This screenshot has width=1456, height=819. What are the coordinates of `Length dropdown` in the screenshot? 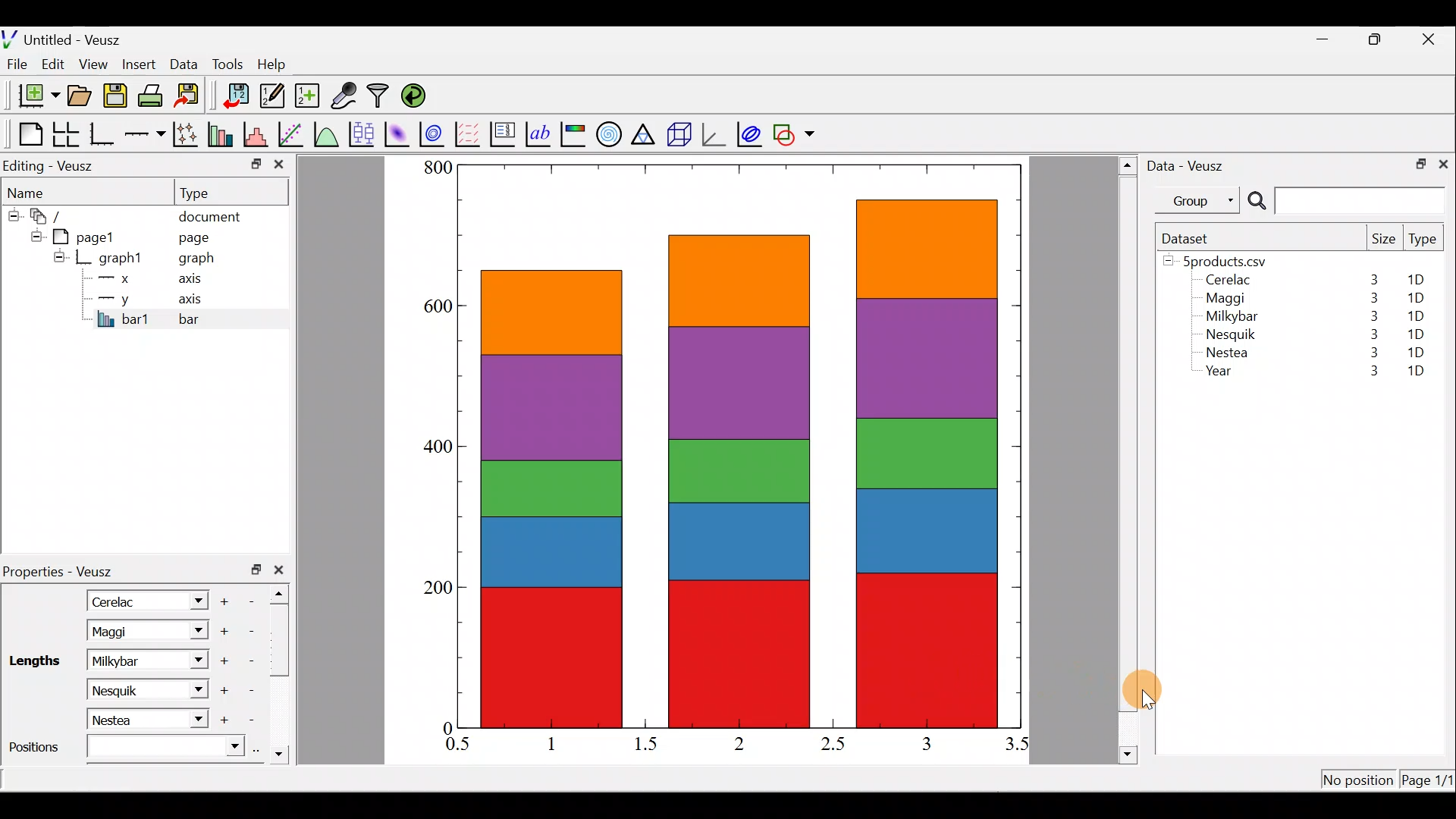 It's located at (194, 631).